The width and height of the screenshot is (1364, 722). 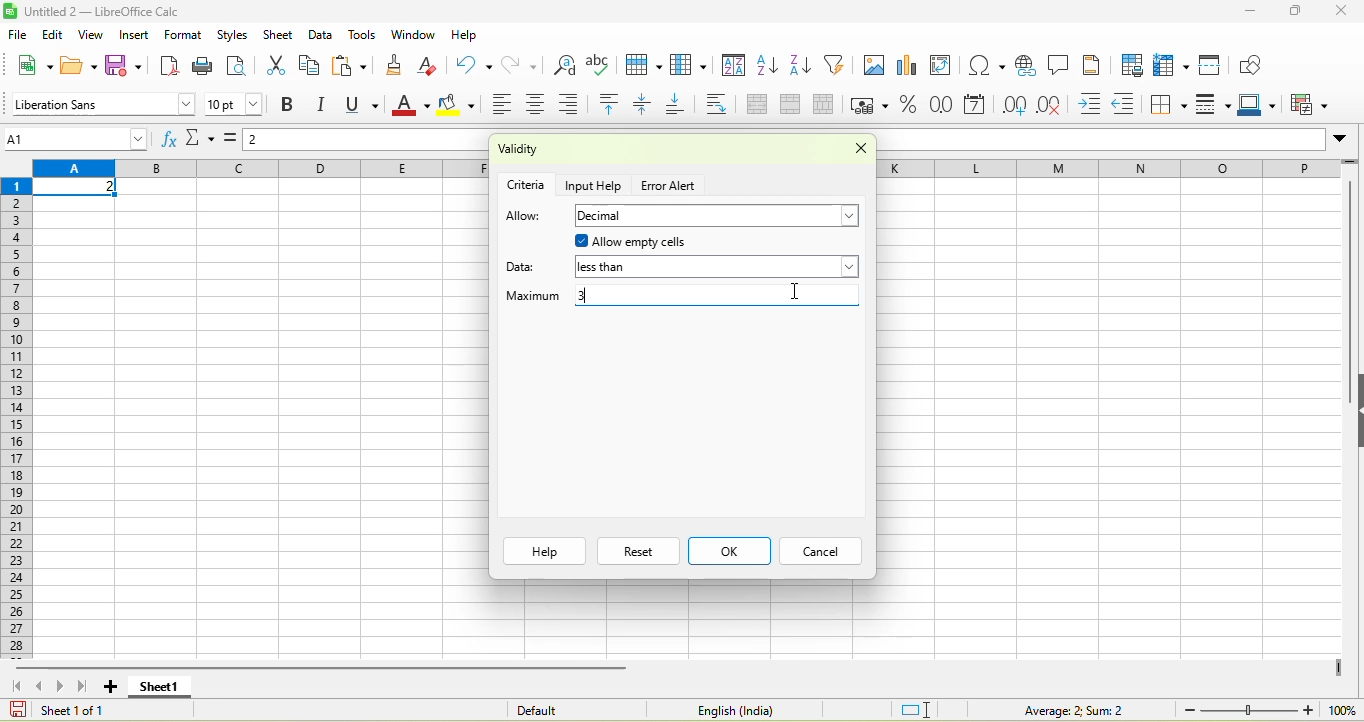 I want to click on merge and center, so click(x=757, y=106).